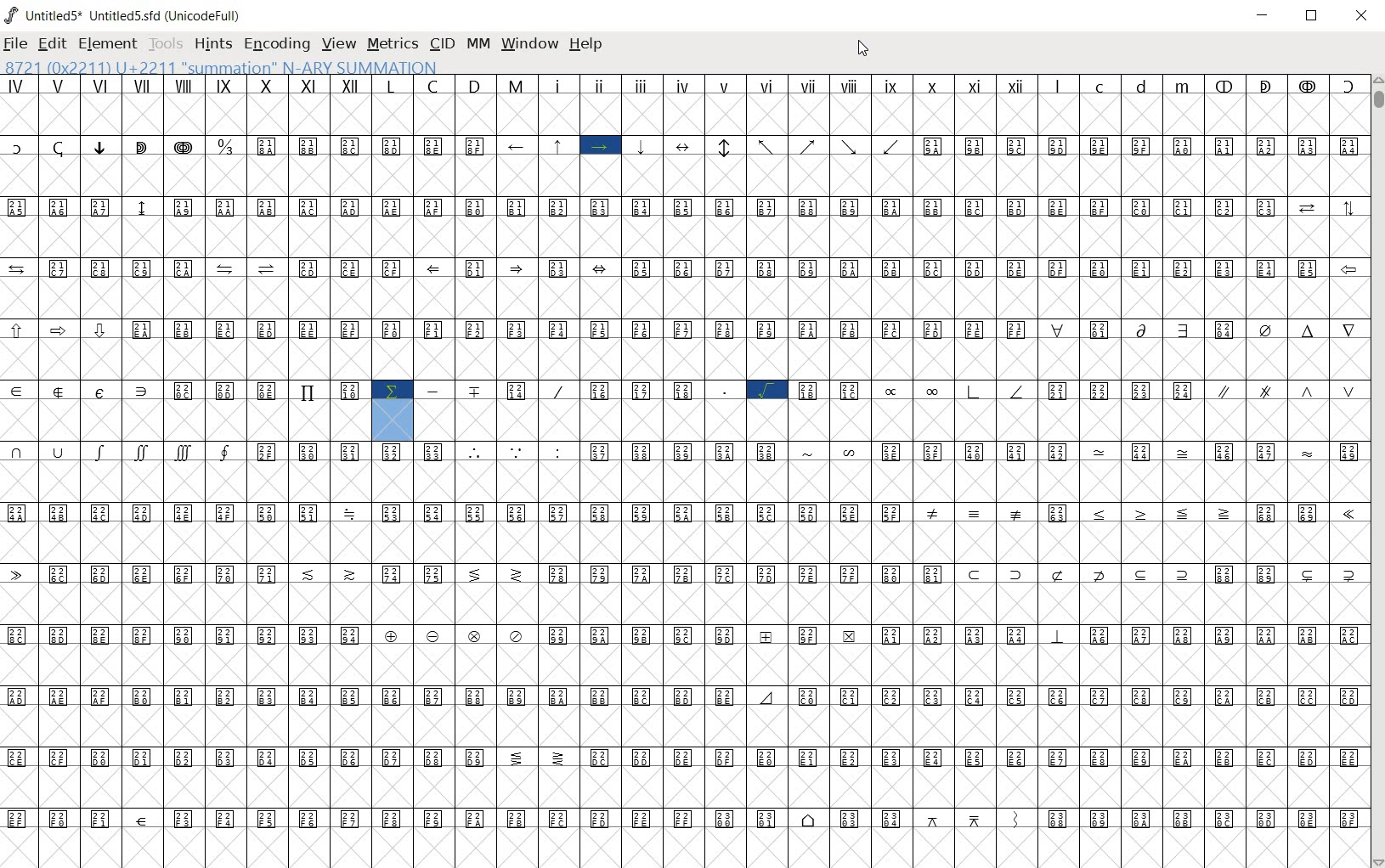 The height and width of the screenshot is (868, 1385). Describe the element at coordinates (586, 44) in the screenshot. I see `help` at that location.